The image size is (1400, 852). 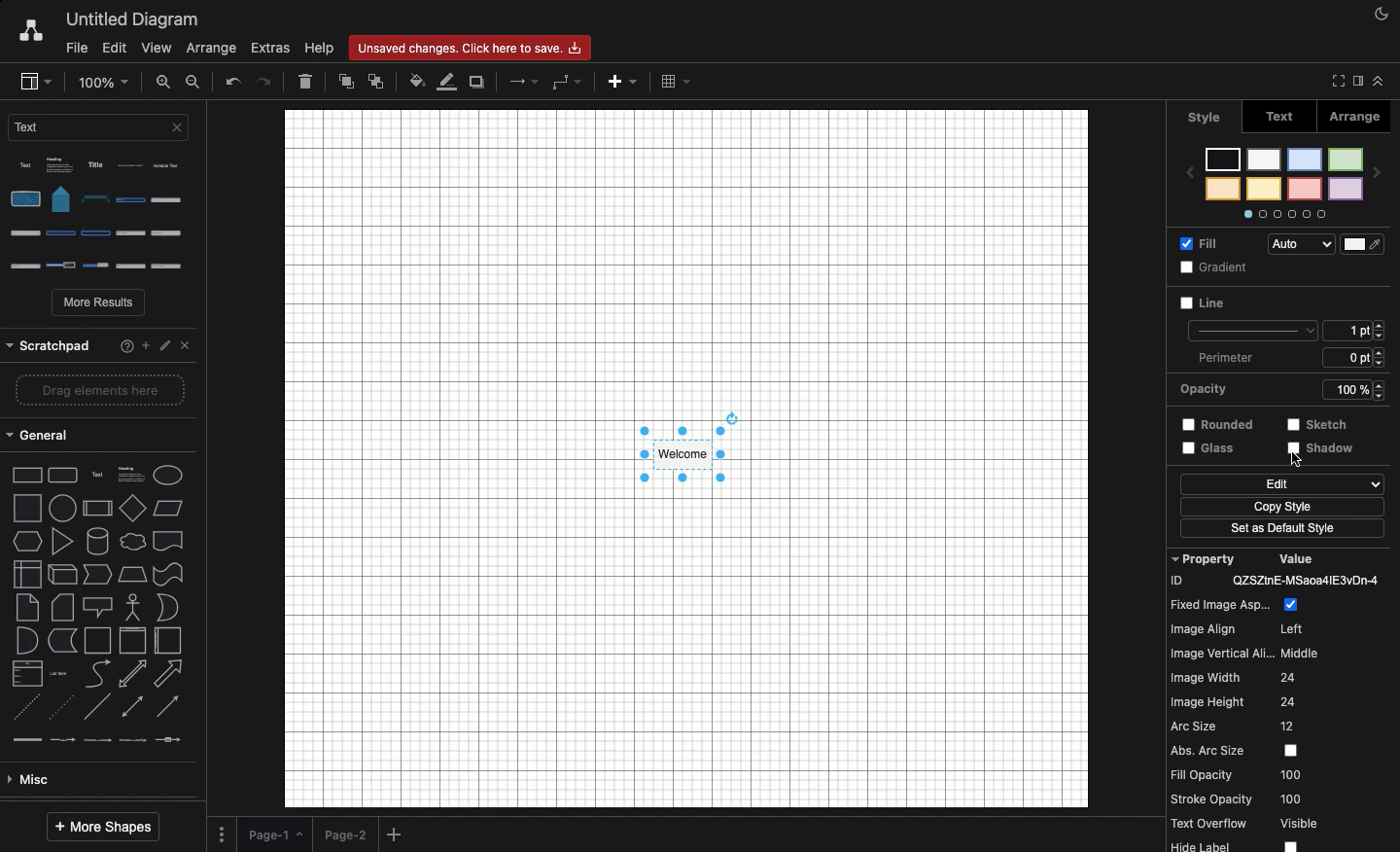 What do you see at coordinates (133, 20) in the screenshot?
I see `Untitled` at bounding box center [133, 20].